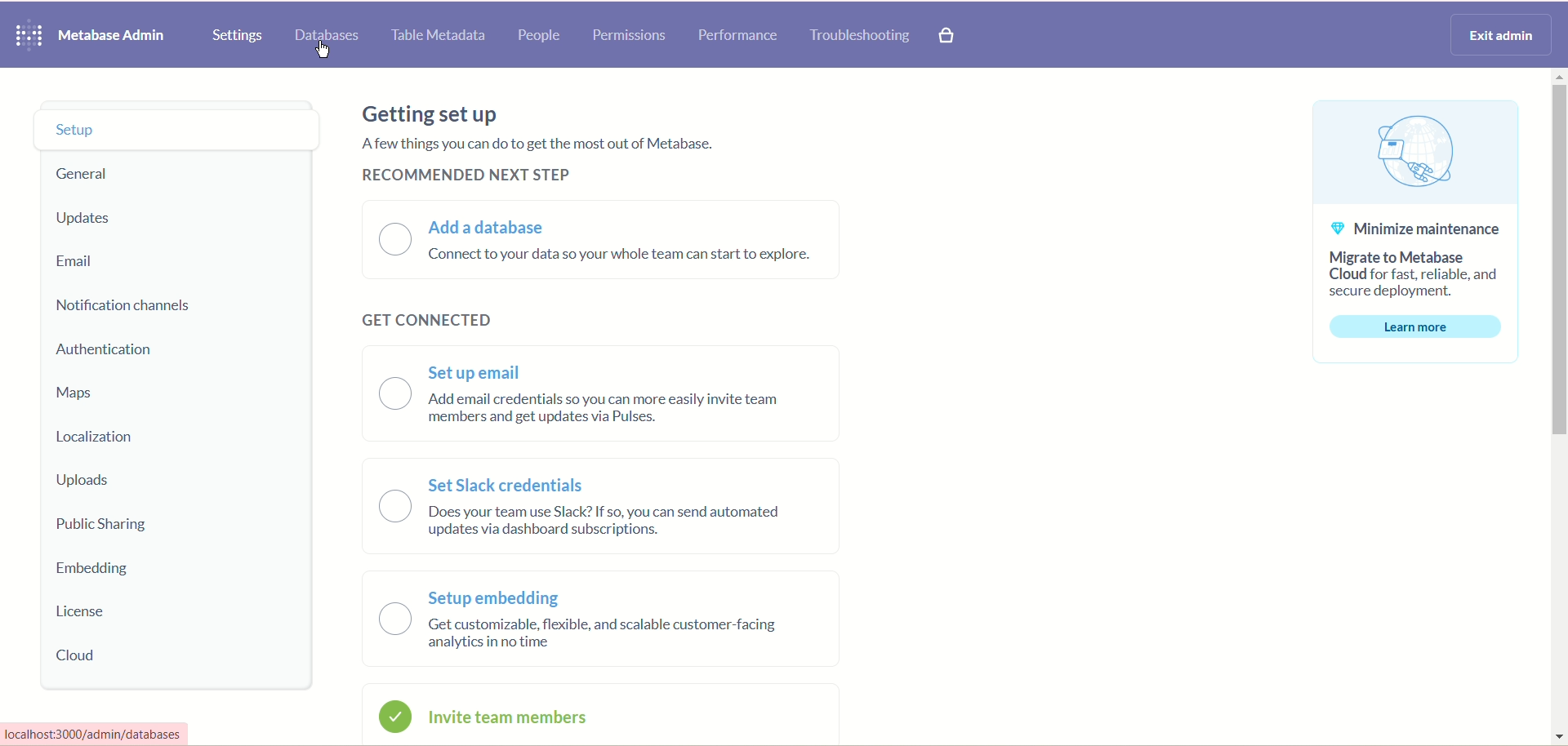  What do you see at coordinates (950, 38) in the screenshot?
I see `paid features` at bounding box center [950, 38].